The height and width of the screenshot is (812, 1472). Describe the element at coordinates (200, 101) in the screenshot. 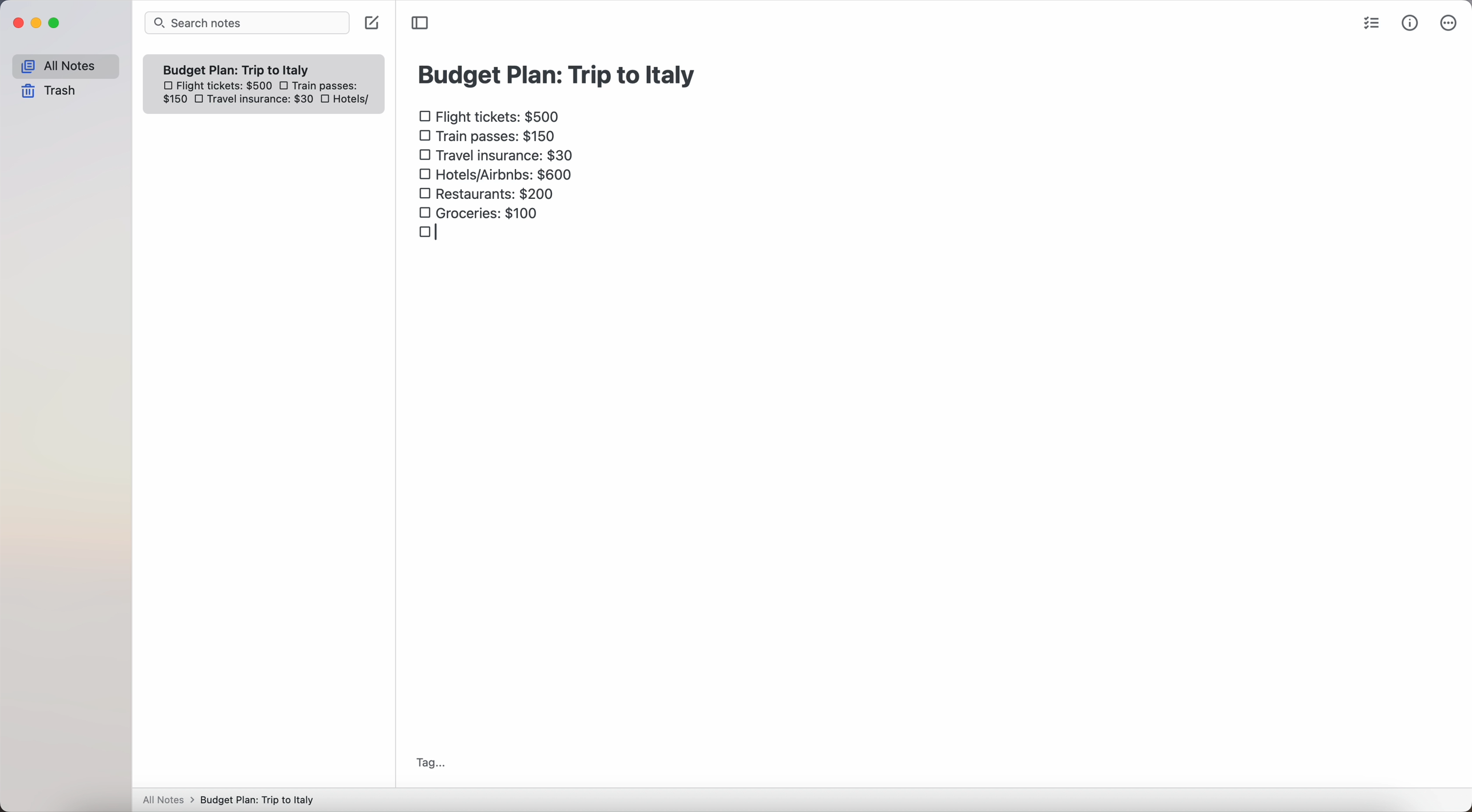

I see `checkbox` at that location.